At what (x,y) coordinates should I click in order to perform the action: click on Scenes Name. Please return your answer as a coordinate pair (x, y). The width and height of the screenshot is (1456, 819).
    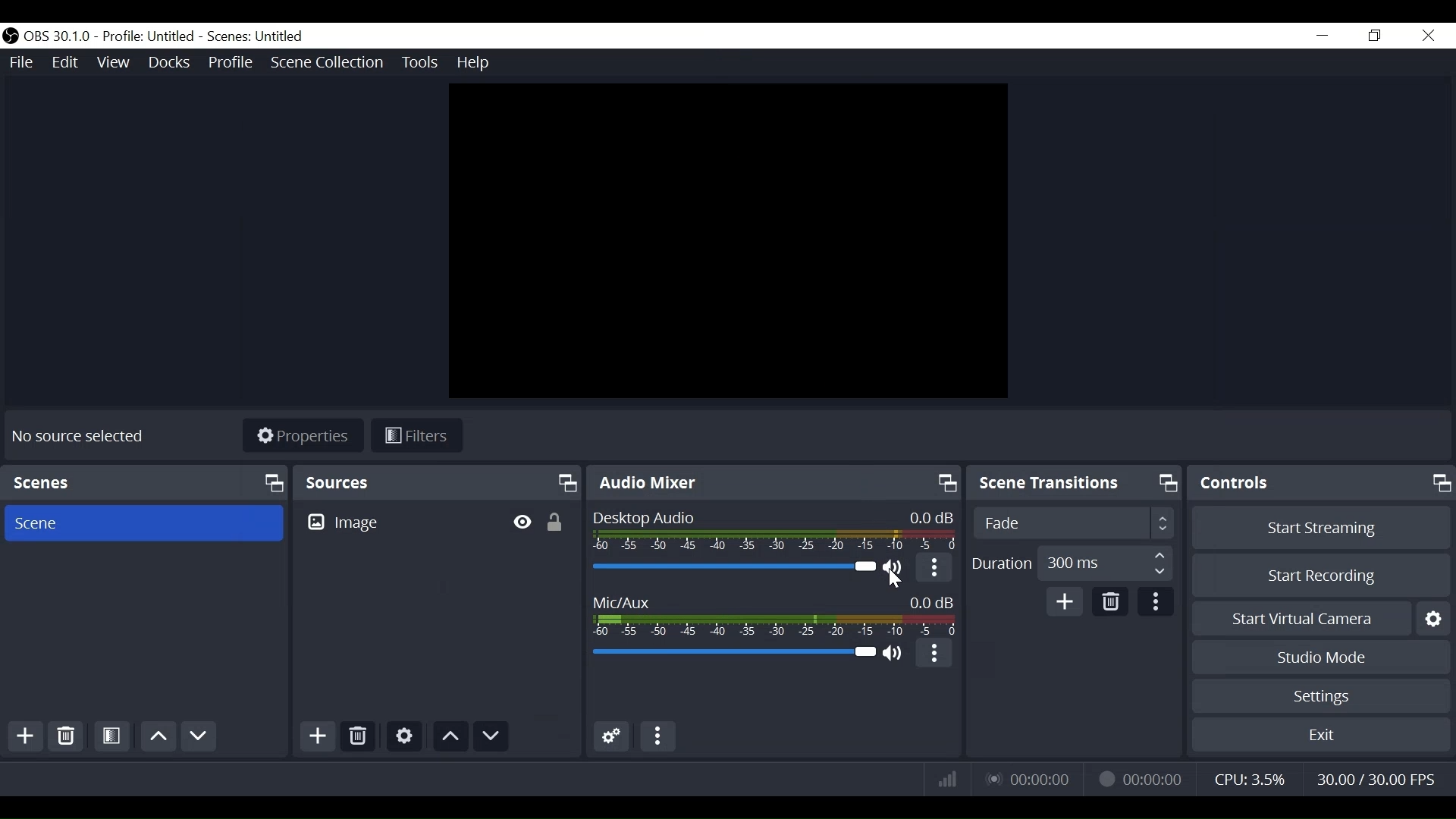
    Looking at the image, I should click on (256, 36).